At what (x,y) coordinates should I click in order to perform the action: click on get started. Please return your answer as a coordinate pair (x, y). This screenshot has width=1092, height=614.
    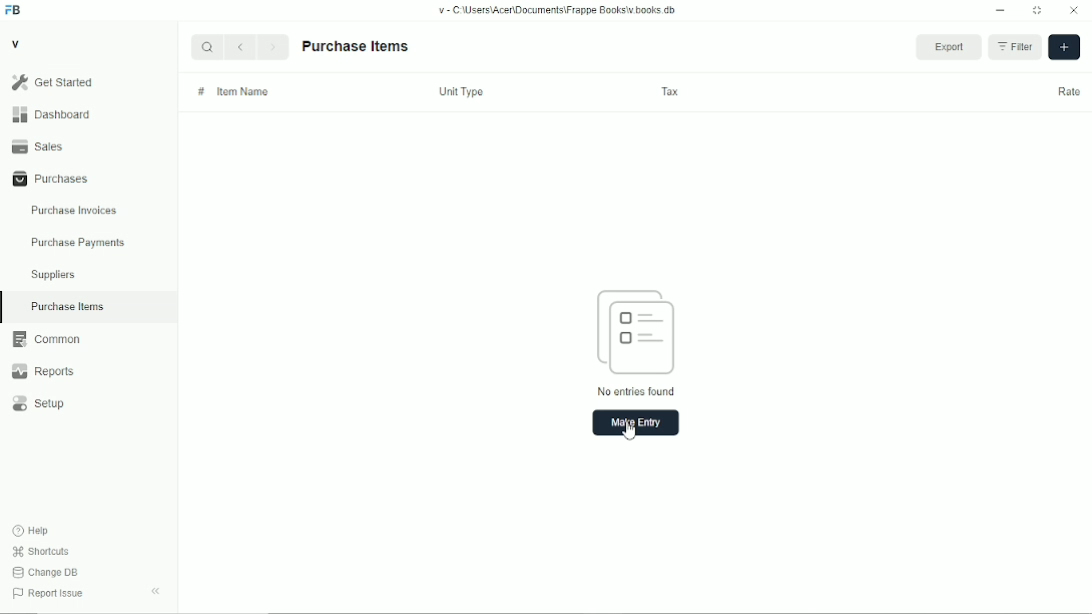
    Looking at the image, I should click on (53, 82).